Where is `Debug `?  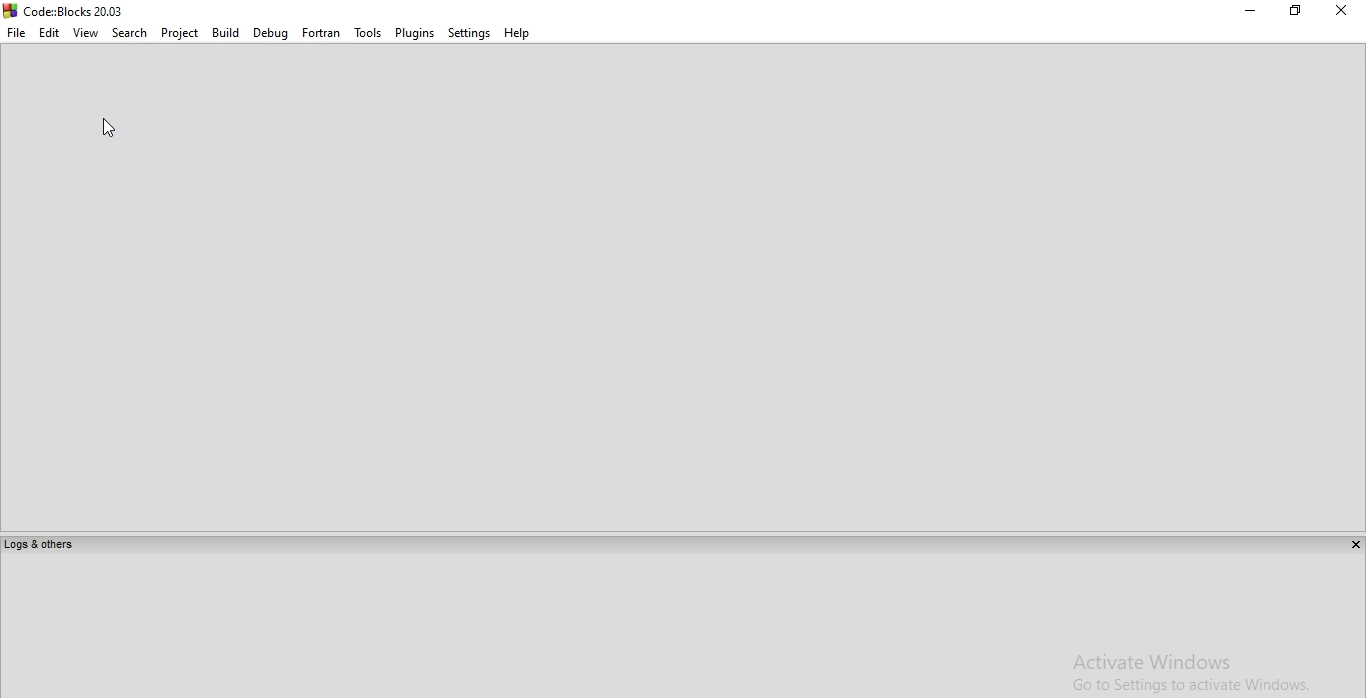
Debug  is located at coordinates (269, 32).